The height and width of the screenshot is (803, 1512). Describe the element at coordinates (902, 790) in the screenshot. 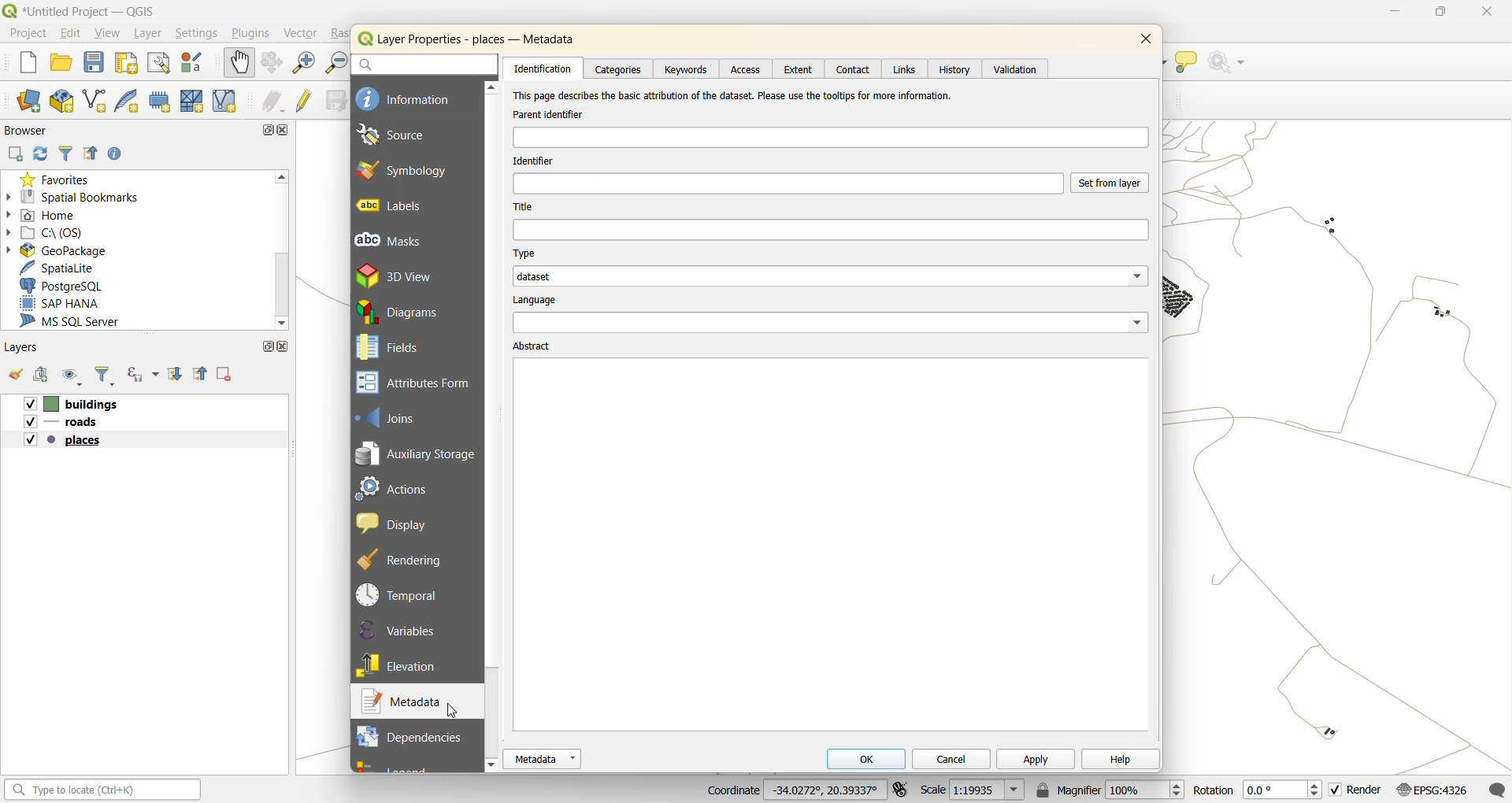

I see `toggle extensions` at that location.